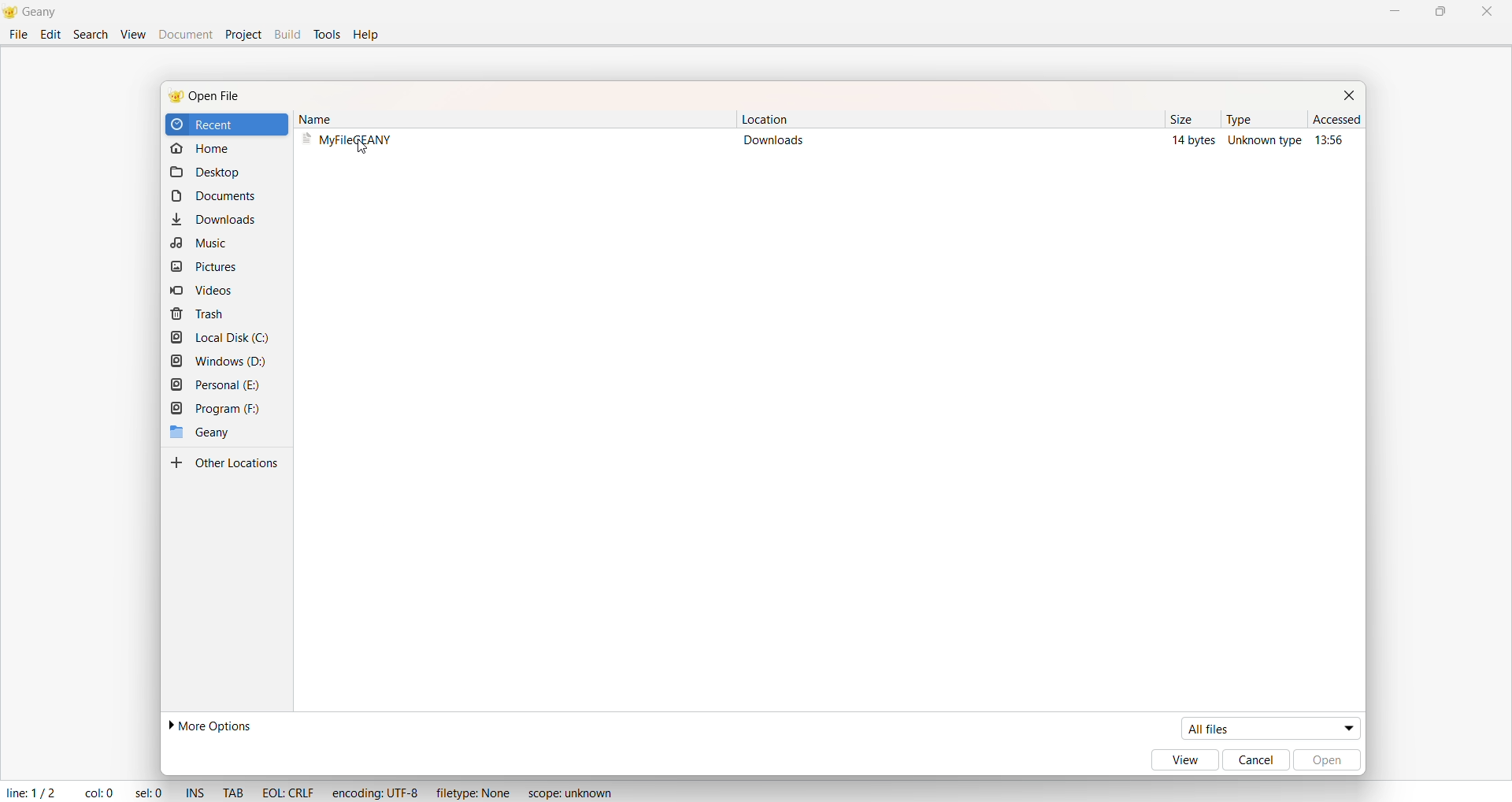 Image resolution: width=1512 pixels, height=802 pixels. What do you see at coordinates (228, 464) in the screenshot?
I see `other locations` at bounding box center [228, 464].